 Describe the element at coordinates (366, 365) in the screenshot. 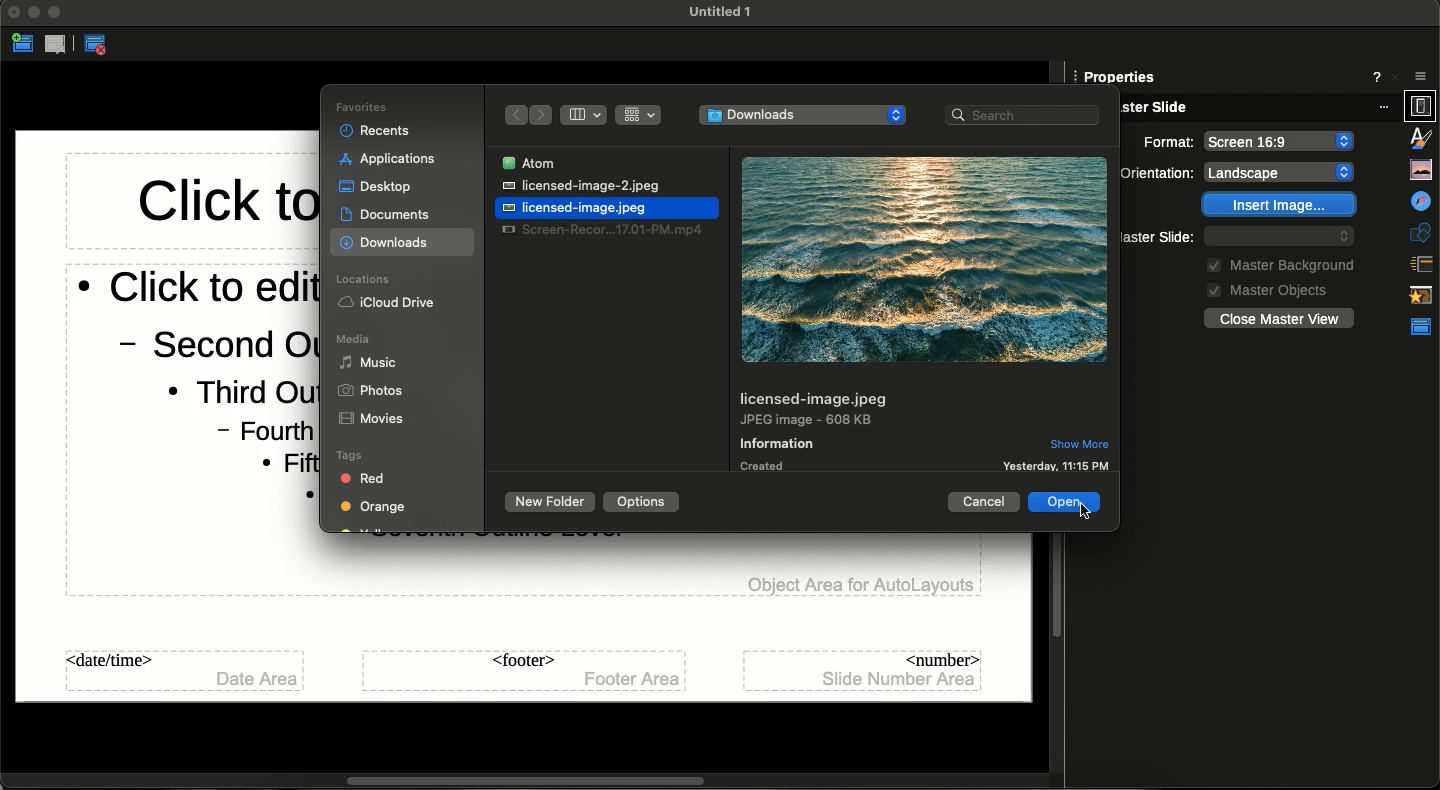

I see `Music` at that location.